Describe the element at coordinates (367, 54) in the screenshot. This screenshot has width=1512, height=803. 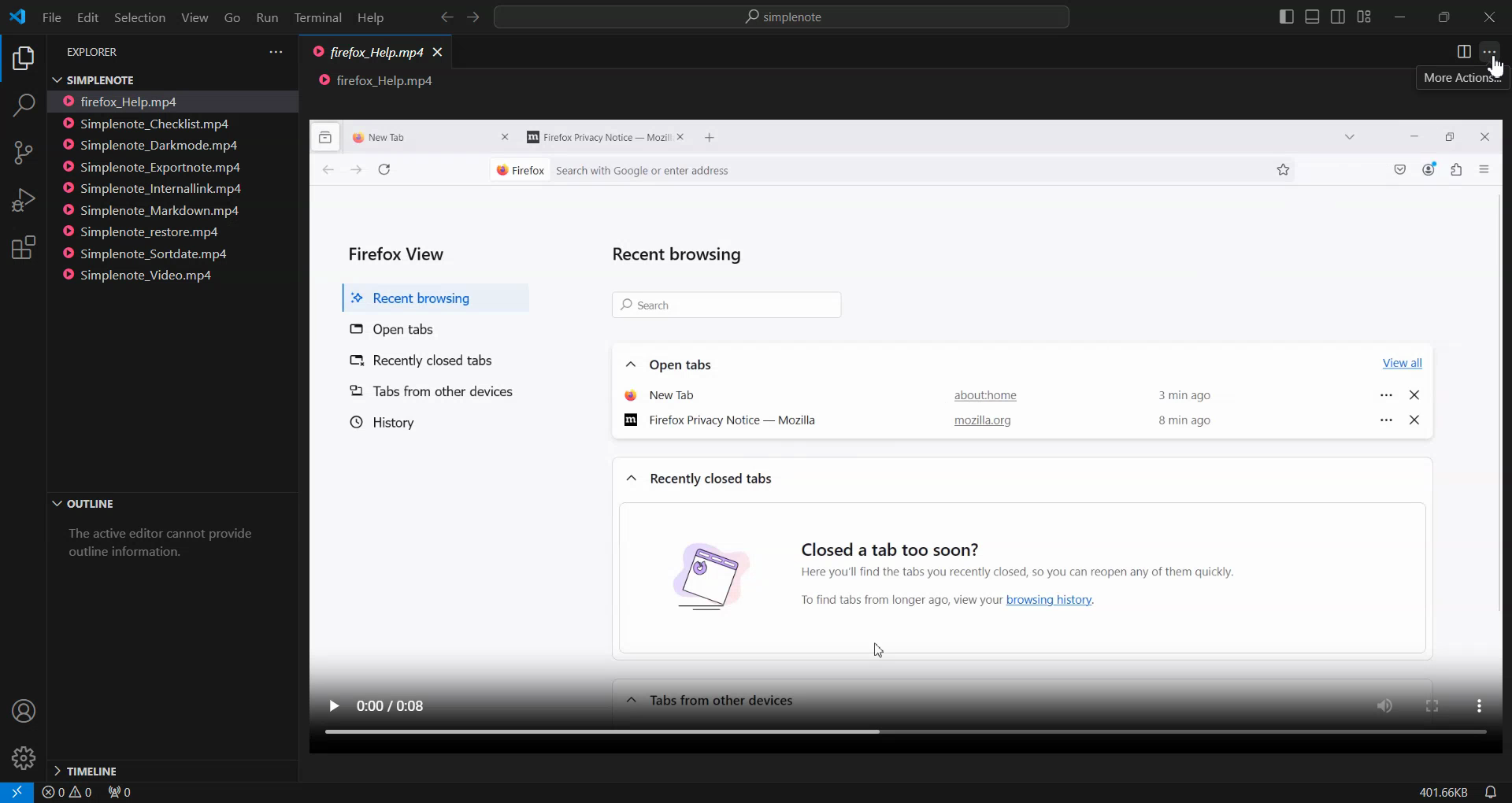
I see `firefox_Help.mp4` at that location.